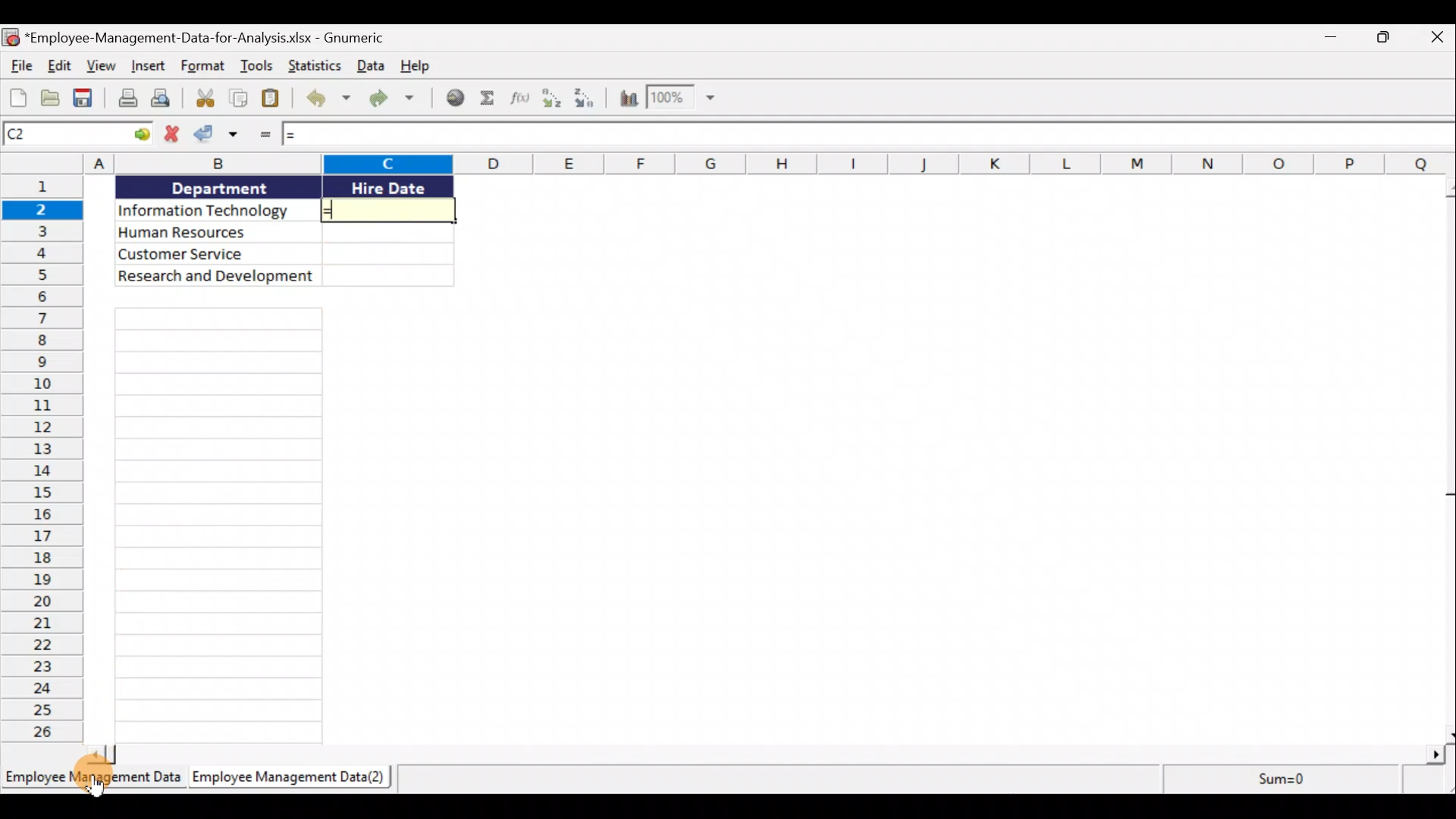  I want to click on Format, so click(203, 68).